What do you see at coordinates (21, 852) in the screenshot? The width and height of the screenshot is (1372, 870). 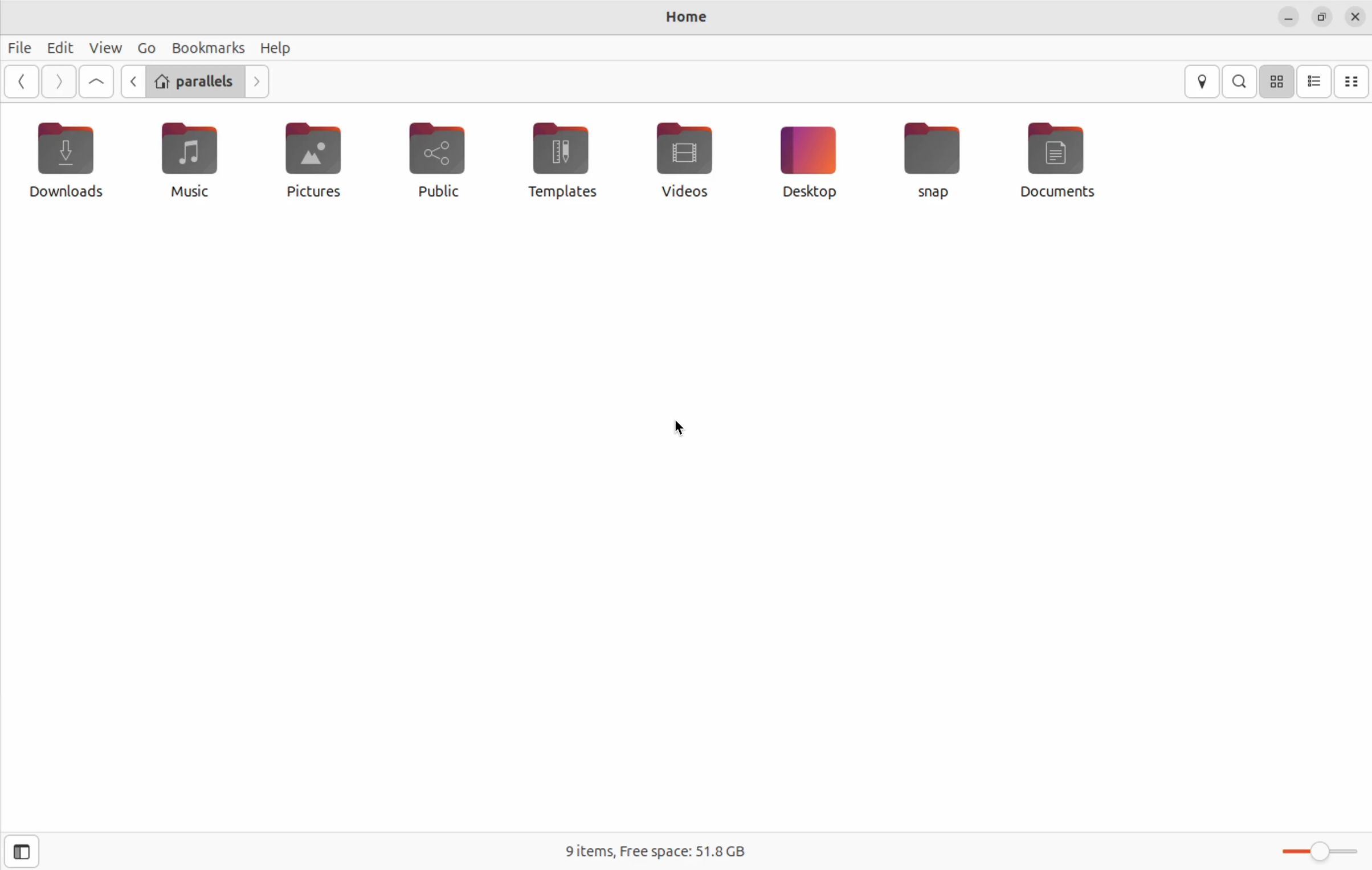 I see `open side bar` at bounding box center [21, 852].